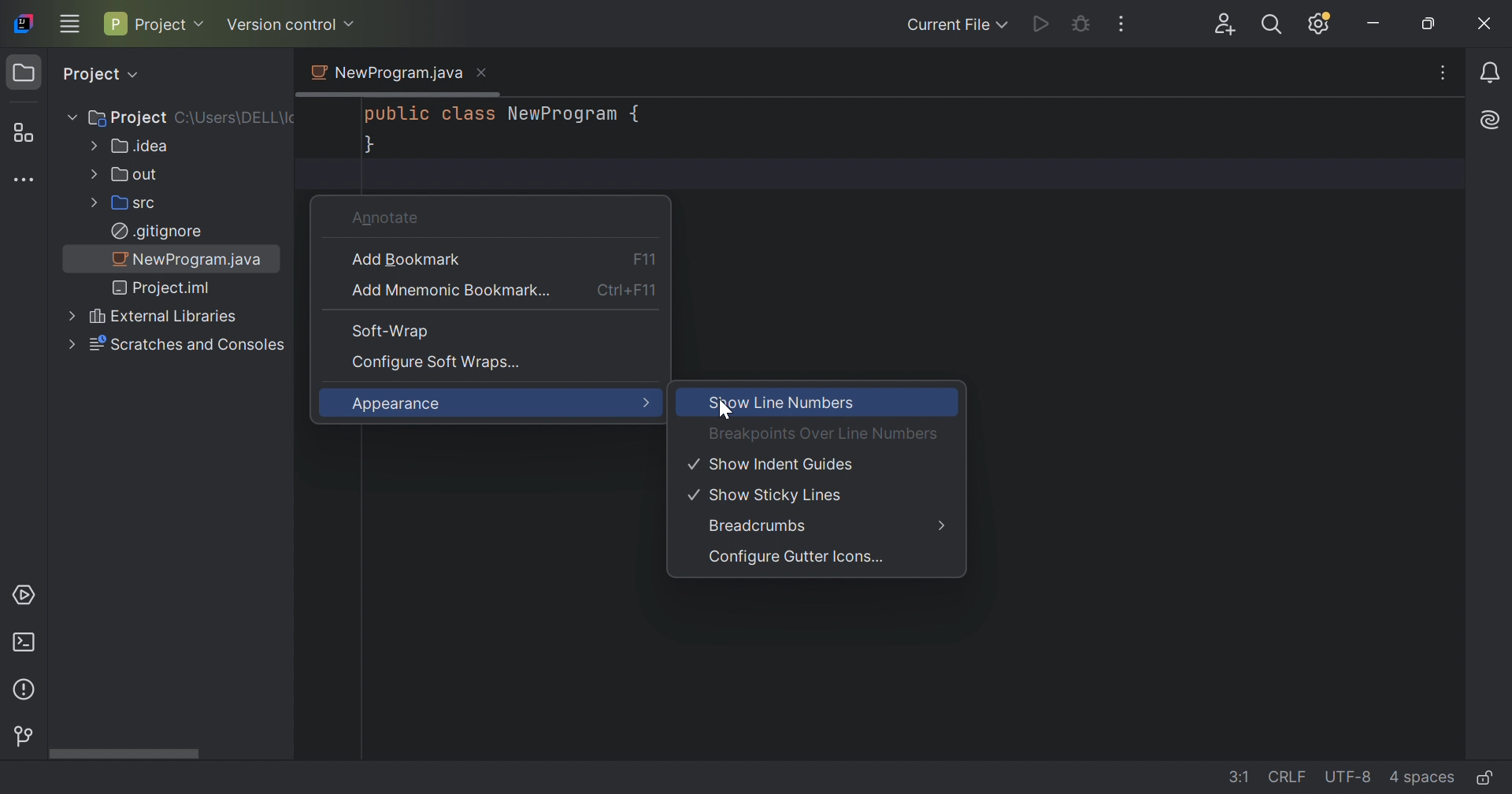 Image resolution: width=1512 pixels, height=794 pixels. What do you see at coordinates (91, 146) in the screenshot?
I see `Drop Down` at bounding box center [91, 146].